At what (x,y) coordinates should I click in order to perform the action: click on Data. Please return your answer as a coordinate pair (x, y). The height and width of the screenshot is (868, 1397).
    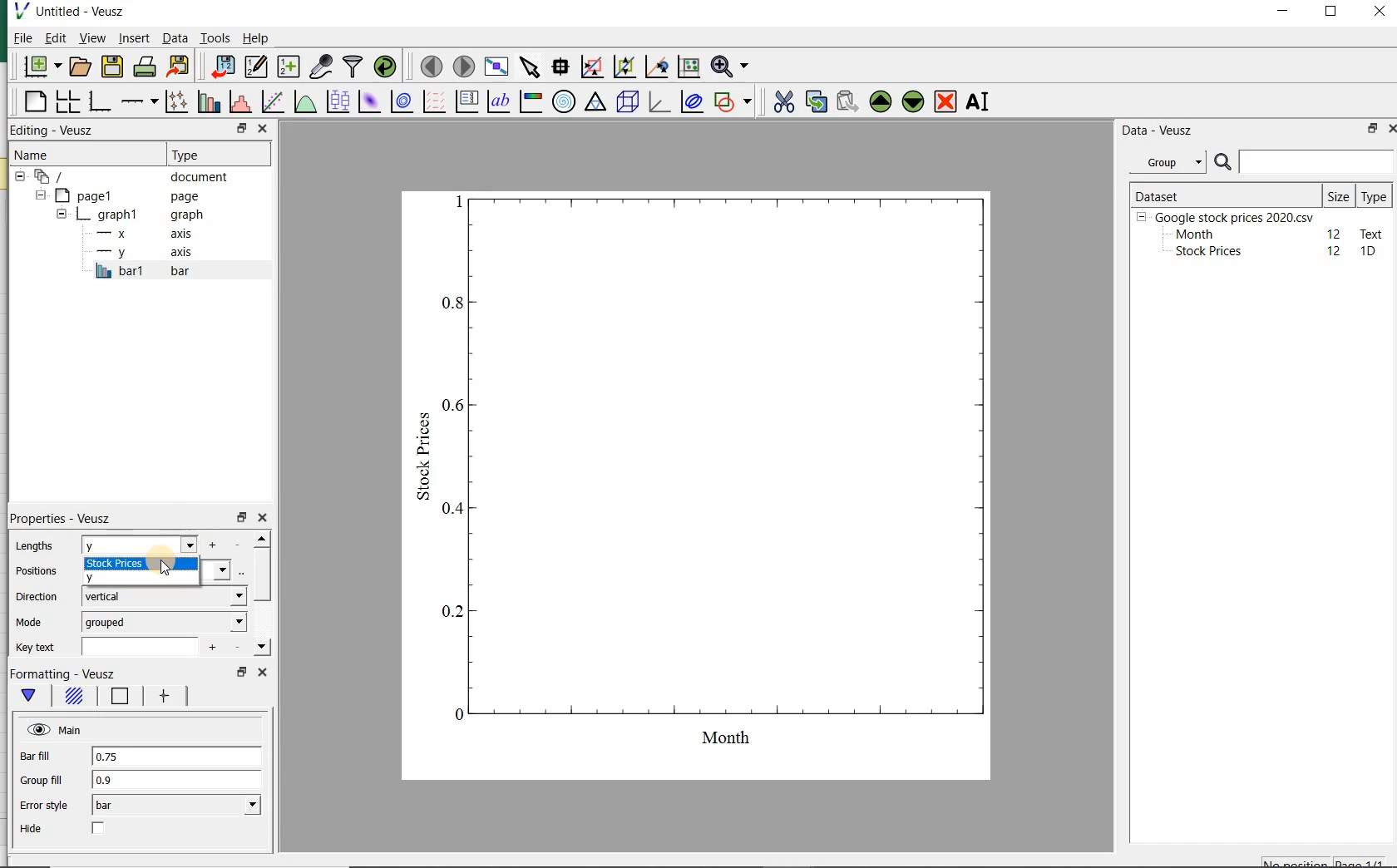
    Looking at the image, I should click on (175, 40).